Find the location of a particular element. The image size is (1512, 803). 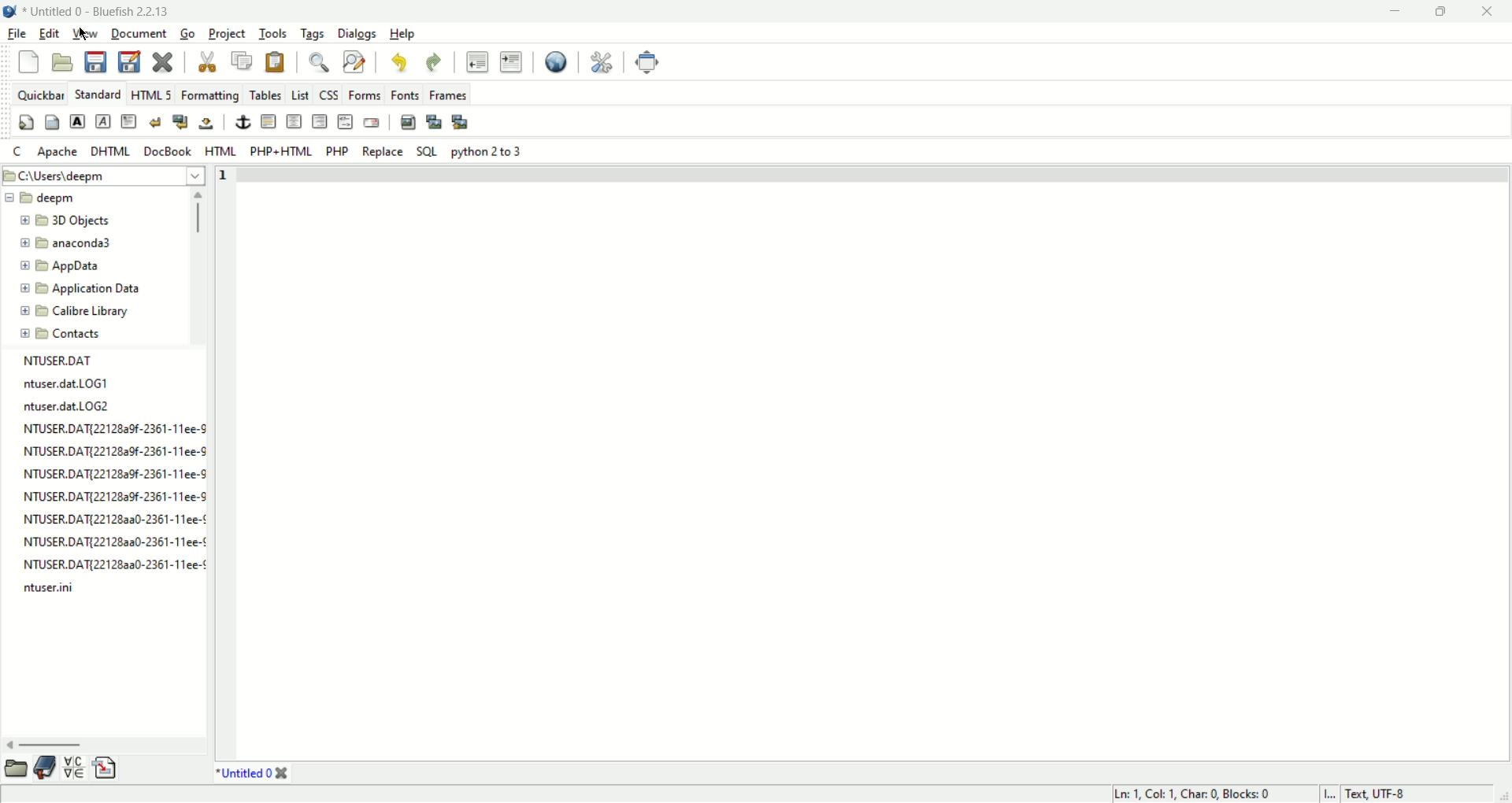

file is located at coordinates (18, 34).